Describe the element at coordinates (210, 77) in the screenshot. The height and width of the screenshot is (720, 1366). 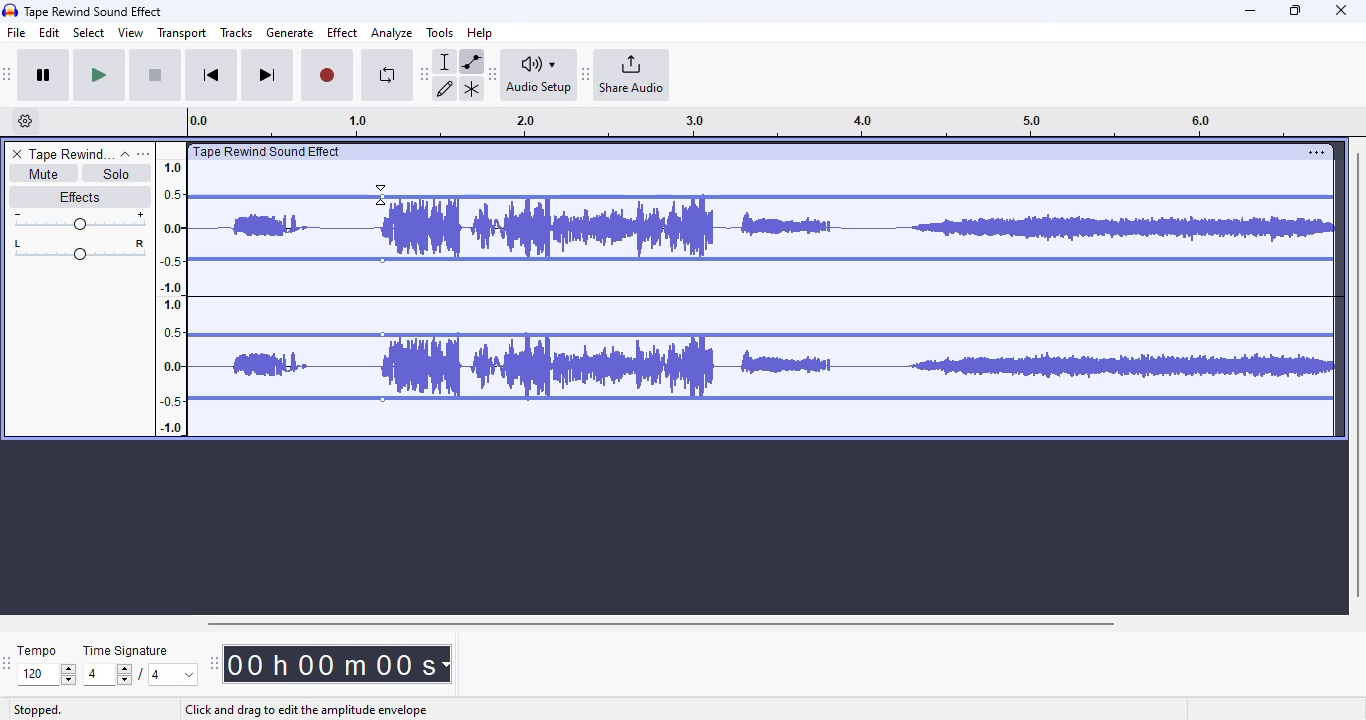
I see `skip to start` at that location.